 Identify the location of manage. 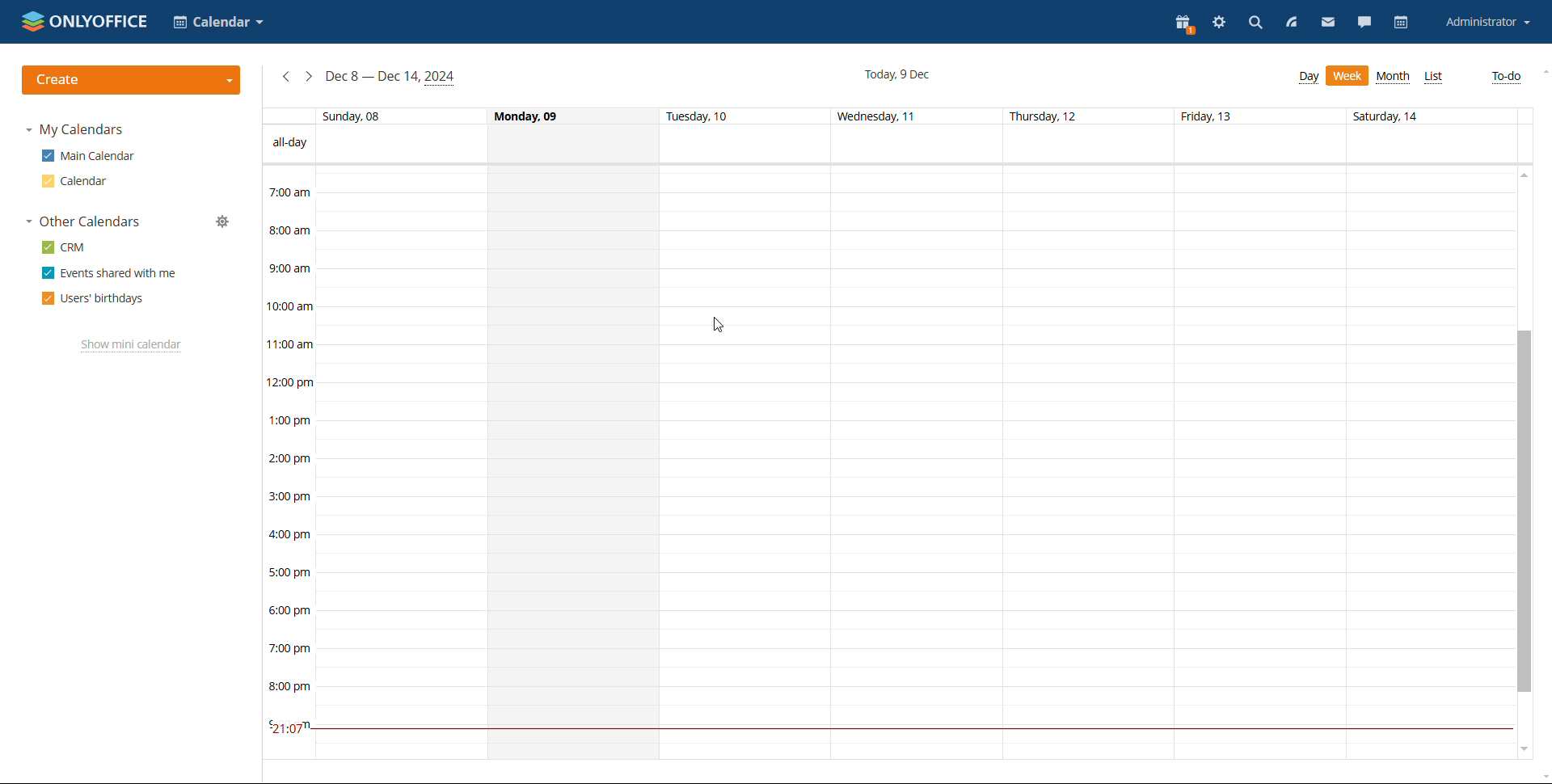
(222, 222).